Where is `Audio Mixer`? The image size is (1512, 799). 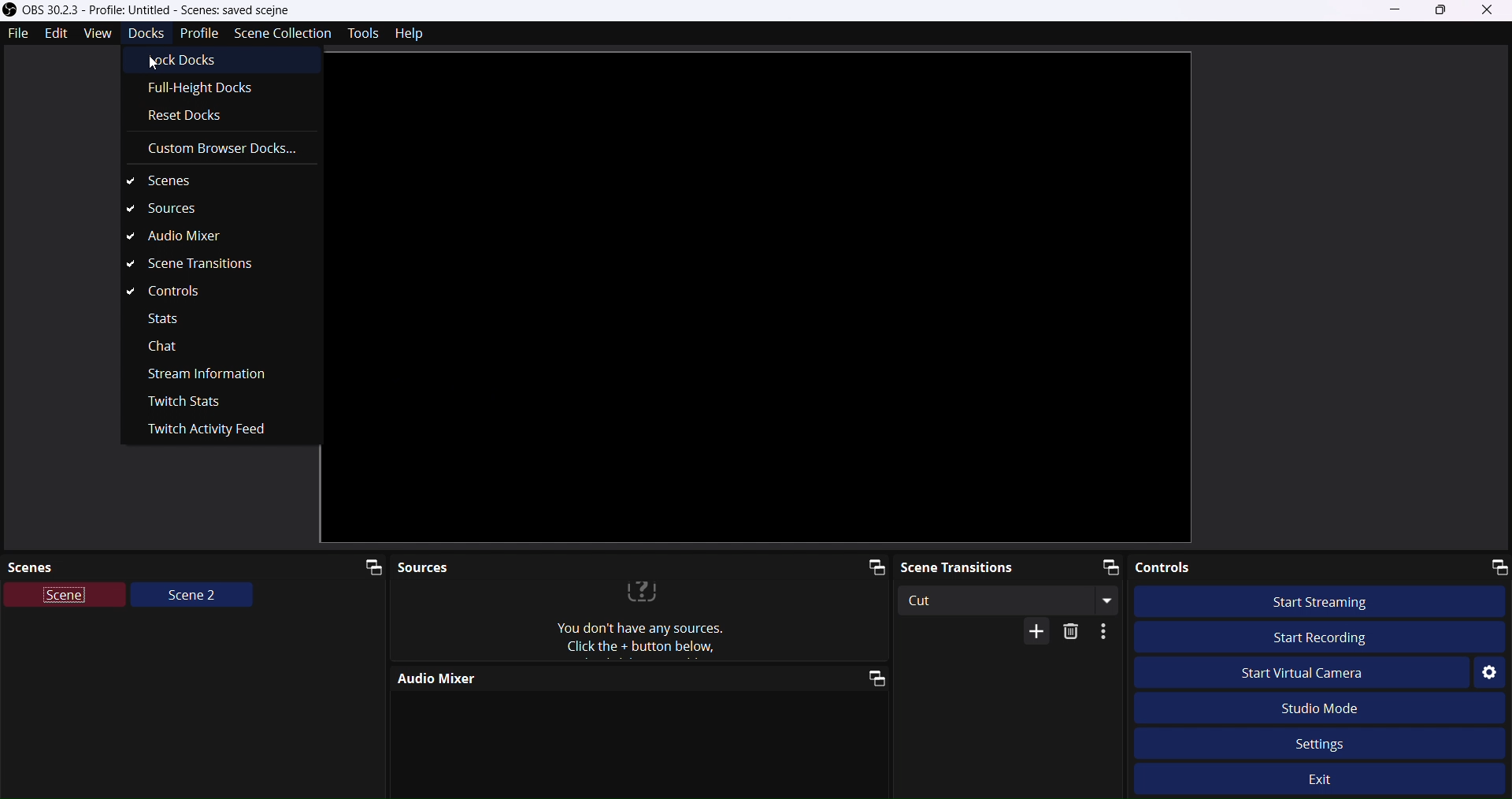 Audio Mixer is located at coordinates (592, 678).